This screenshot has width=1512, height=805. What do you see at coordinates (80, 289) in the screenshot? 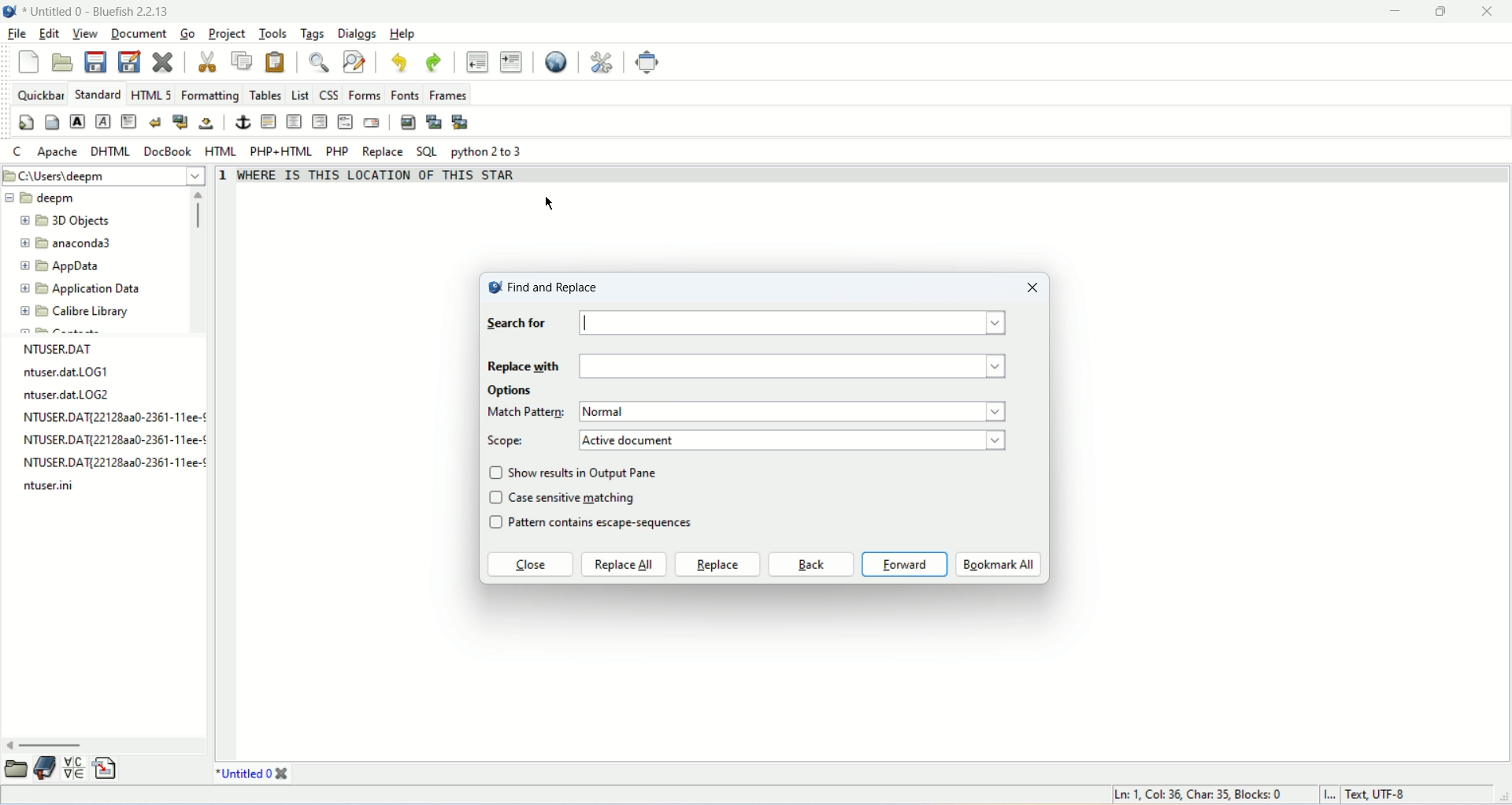
I see `Application Data` at bounding box center [80, 289].